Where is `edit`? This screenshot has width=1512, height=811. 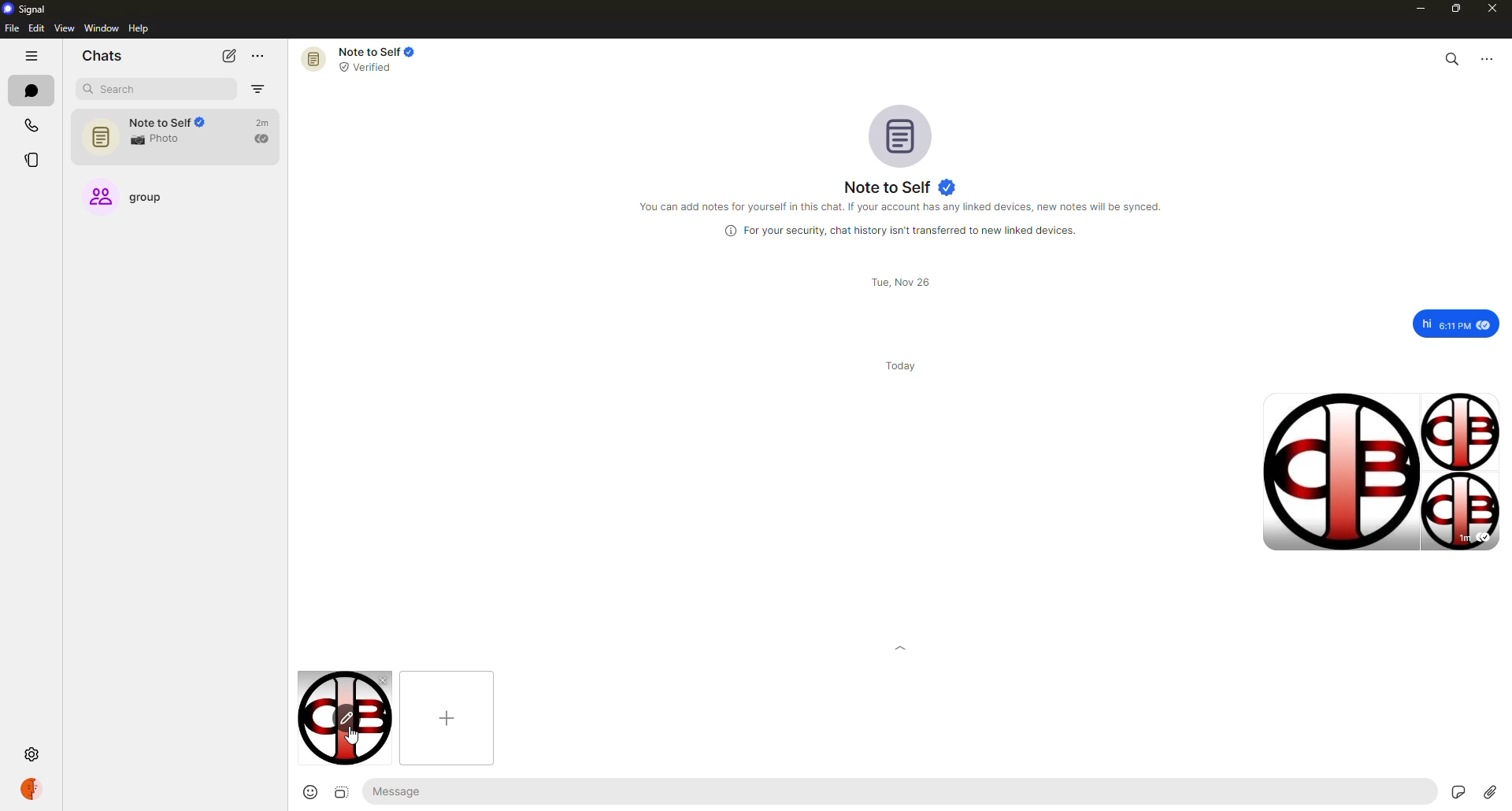 edit is located at coordinates (36, 28).